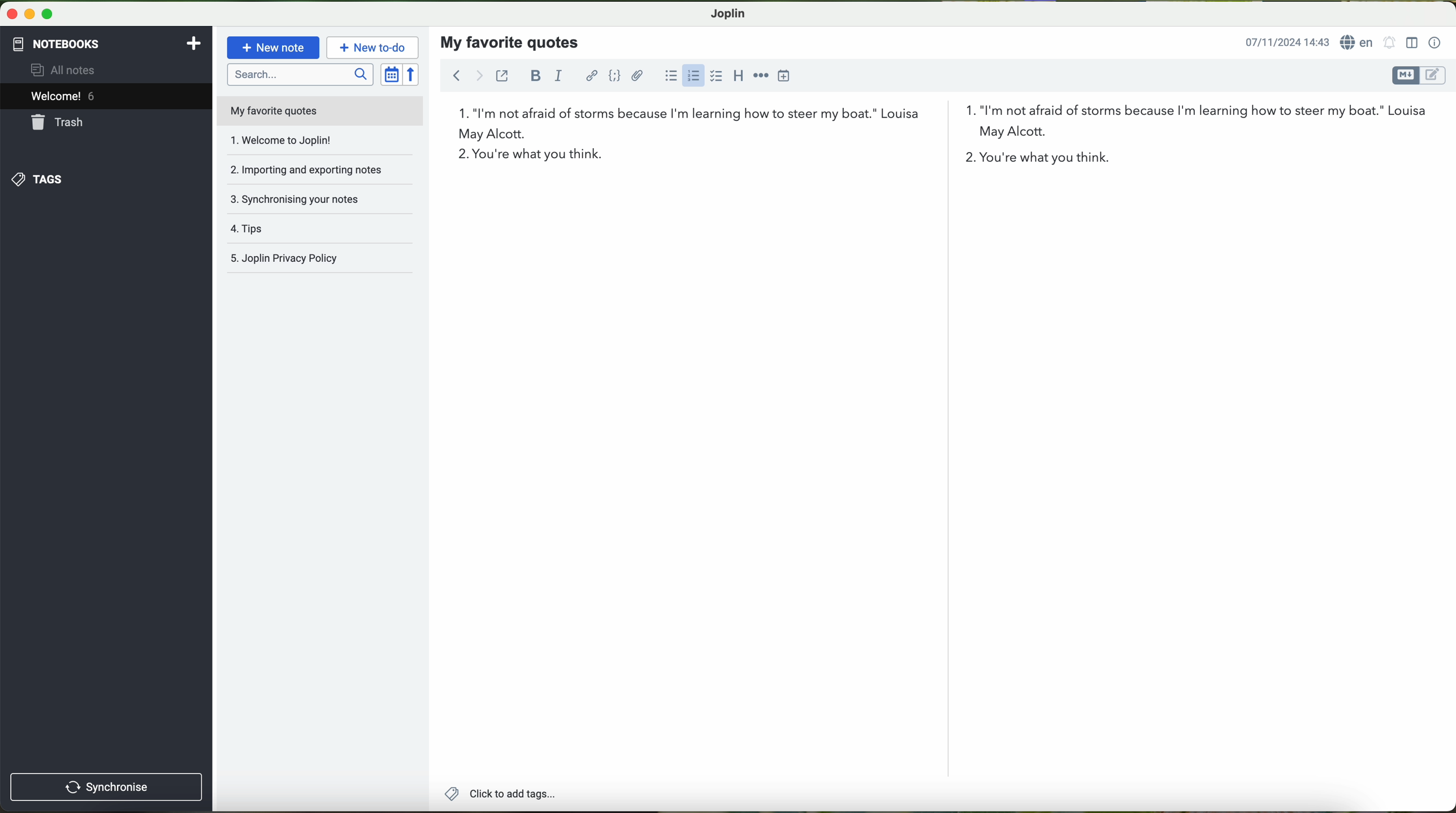  I want to click on horizontal rule, so click(761, 76).